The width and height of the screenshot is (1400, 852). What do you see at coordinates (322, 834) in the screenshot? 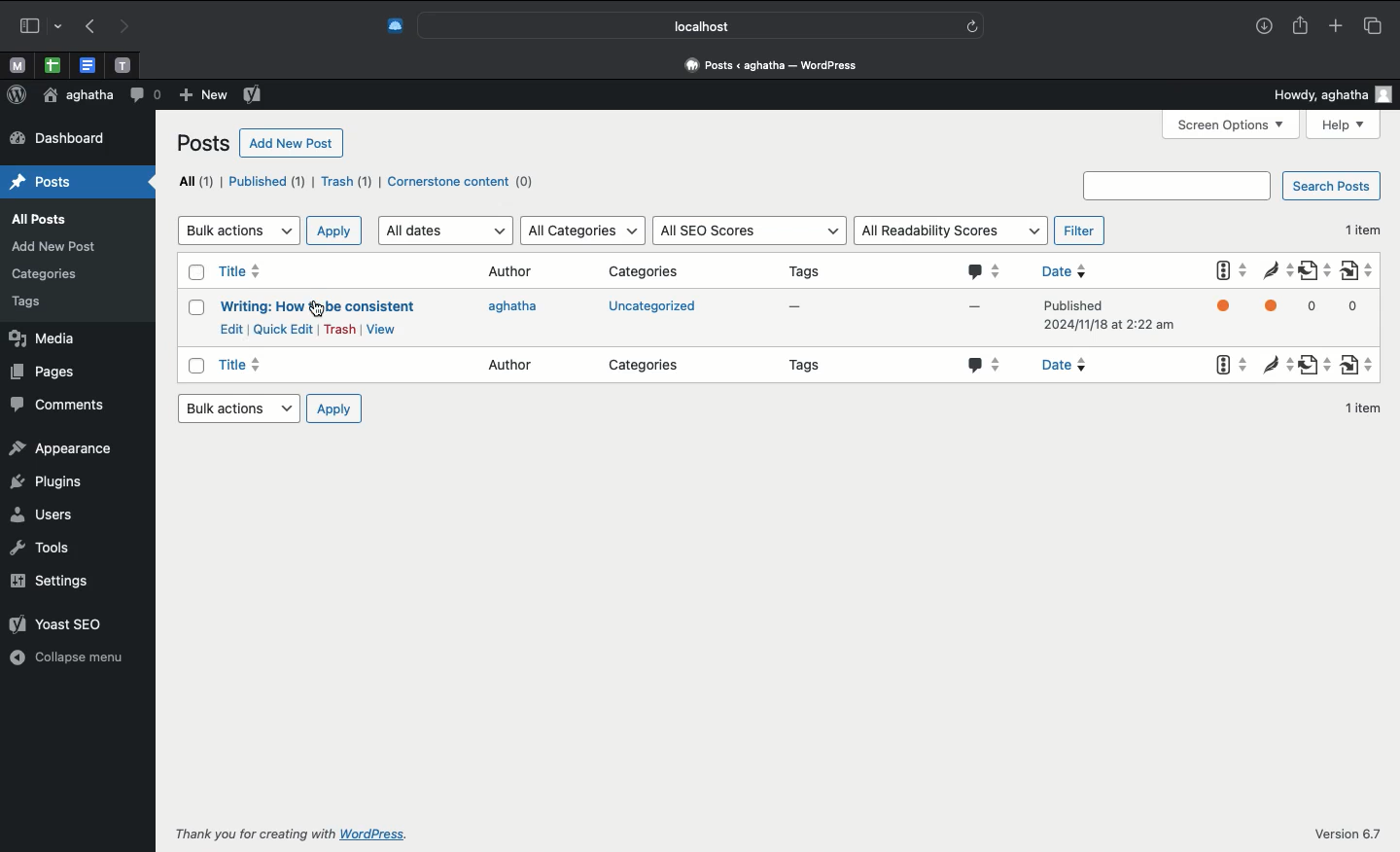
I see `Thank you for creating with wordpress` at bounding box center [322, 834].